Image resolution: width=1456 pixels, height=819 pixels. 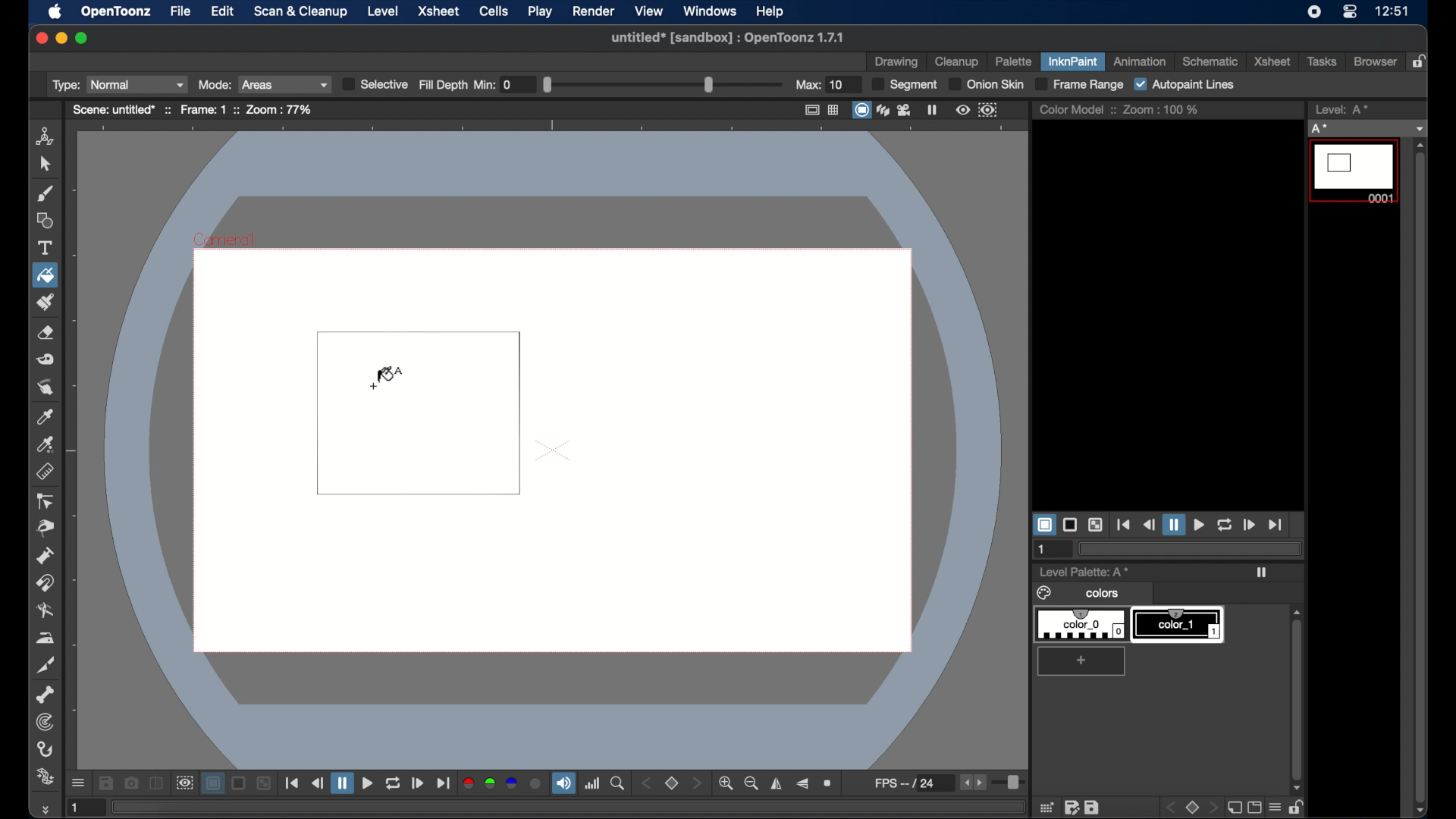 What do you see at coordinates (861, 109) in the screenshot?
I see `camera stand view` at bounding box center [861, 109].